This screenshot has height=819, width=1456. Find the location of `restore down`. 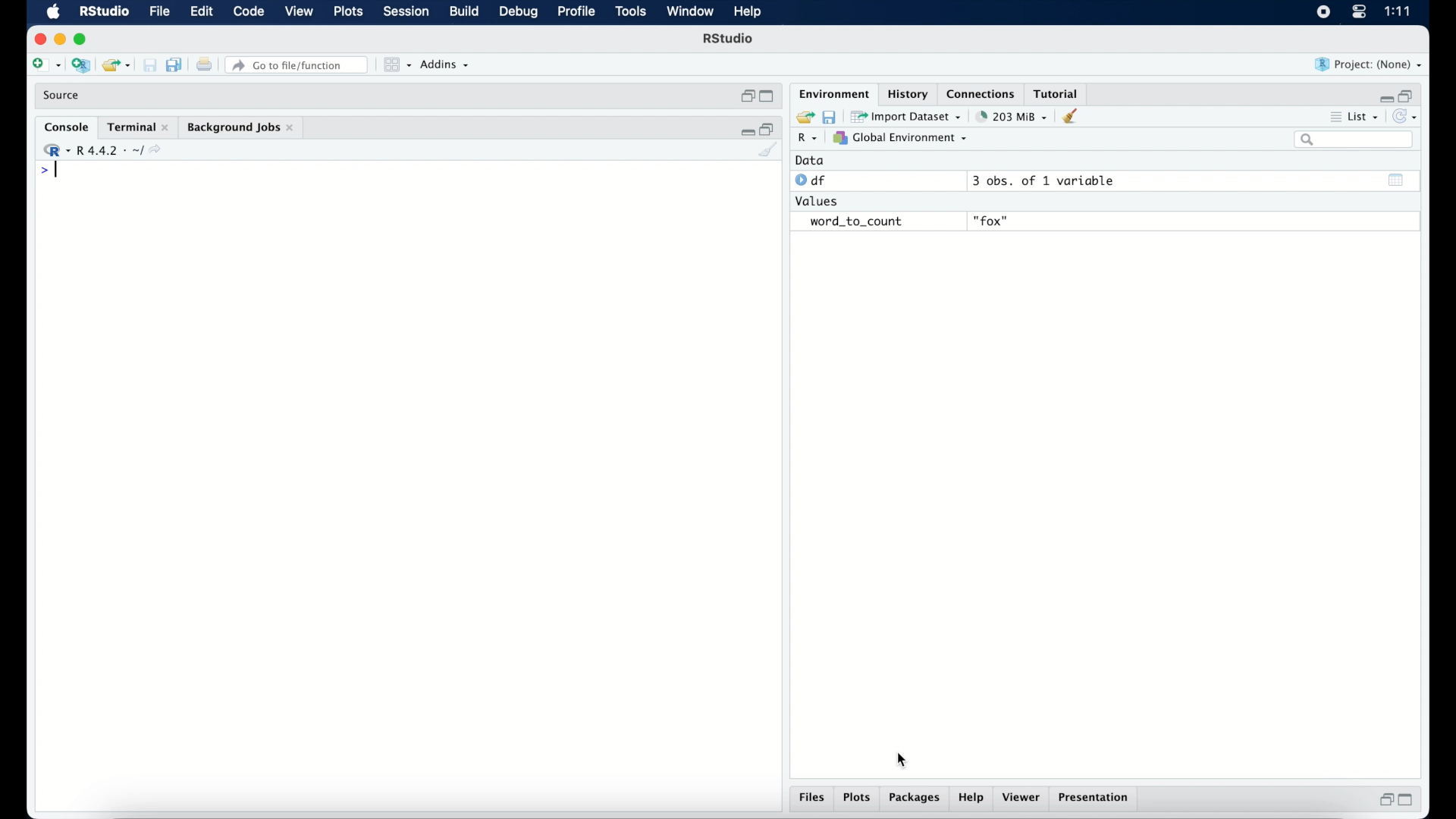

restore down is located at coordinates (1384, 799).